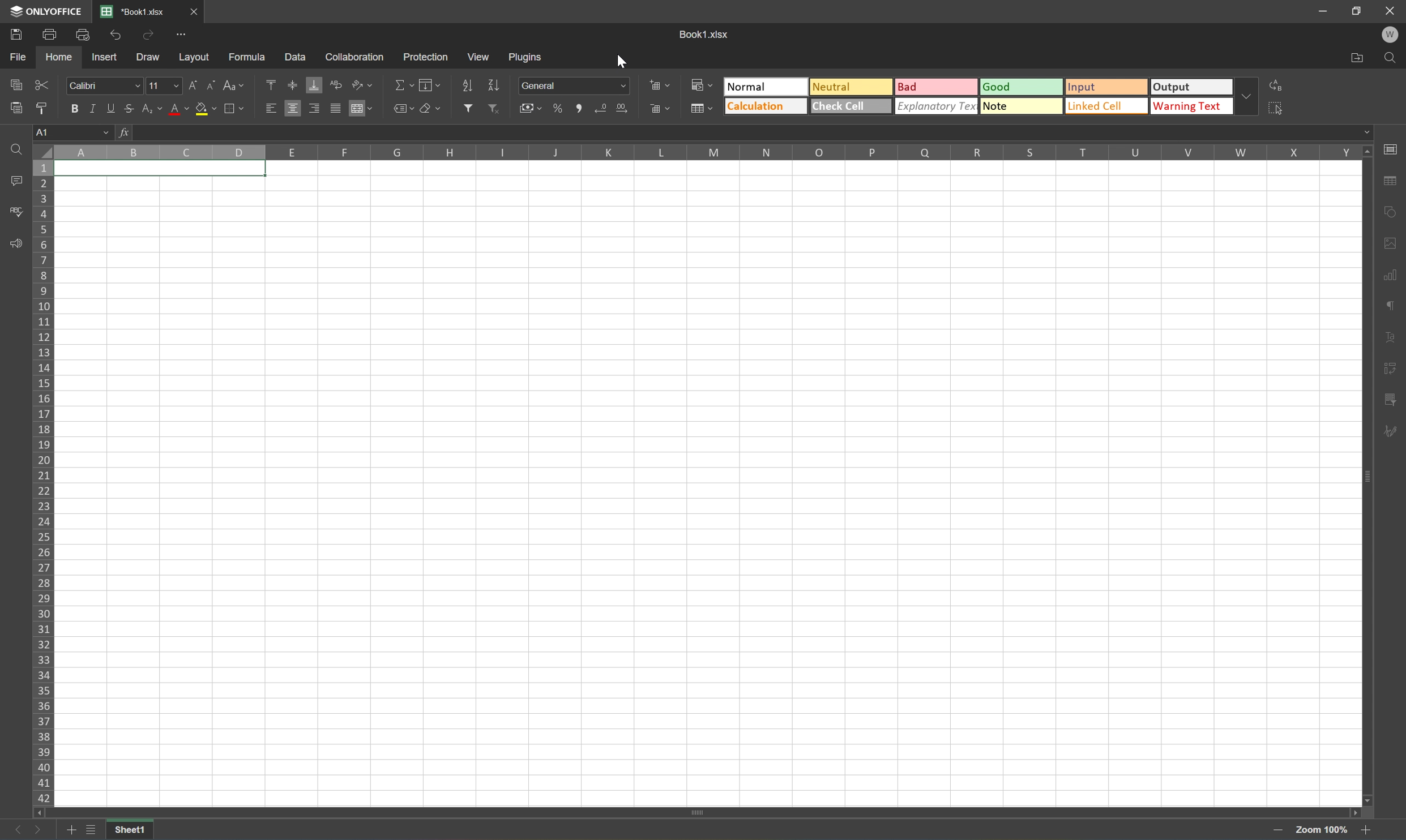 This screenshot has height=840, width=1406. Describe the element at coordinates (695, 811) in the screenshot. I see `Scroll bar` at that location.